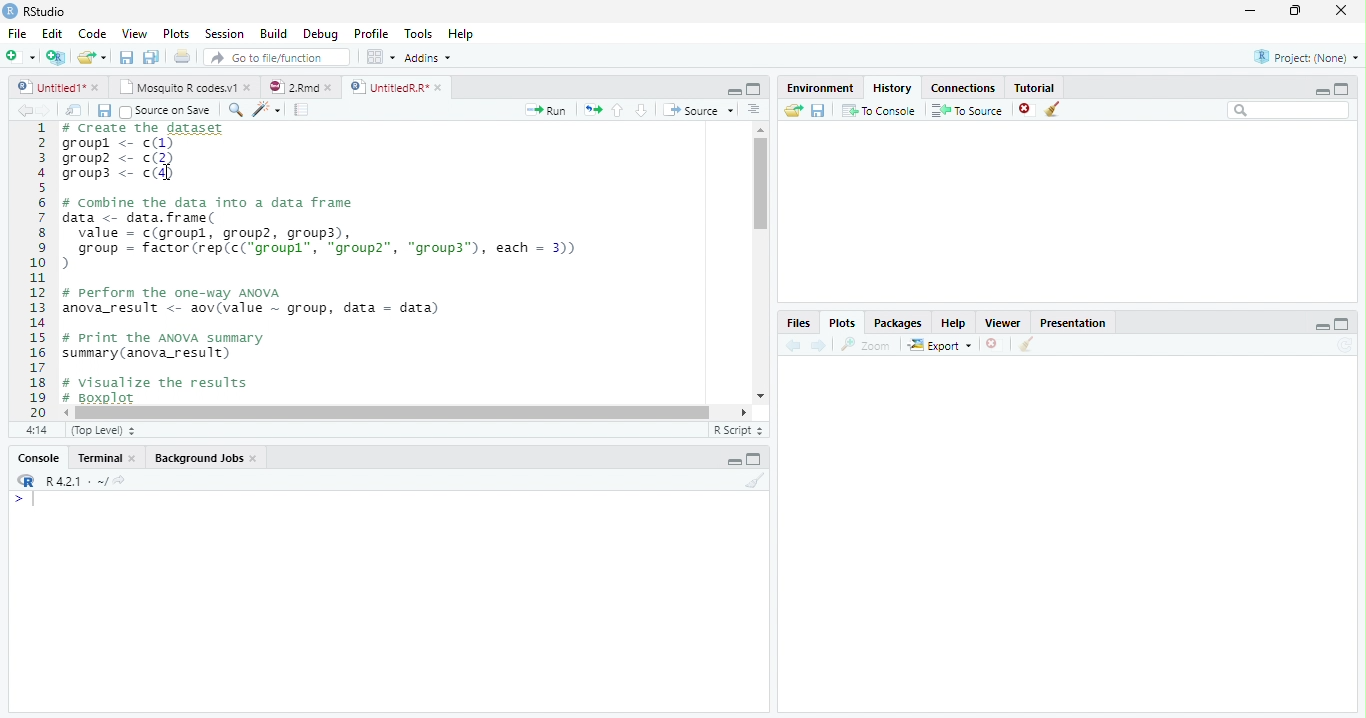 The image size is (1366, 718). Describe the element at coordinates (108, 112) in the screenshot. I see `Save all` at that location.